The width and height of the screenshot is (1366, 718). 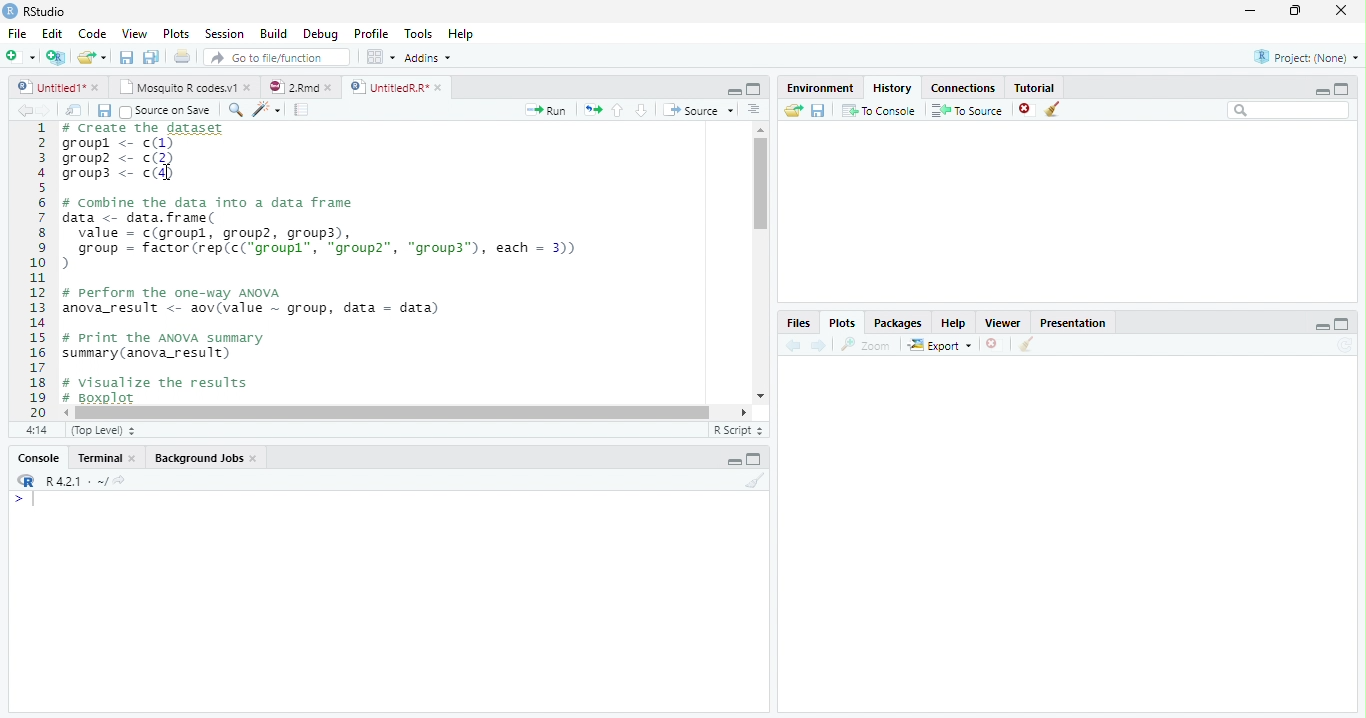 I want to click on Workspace pane, so click(x=379, y=56).